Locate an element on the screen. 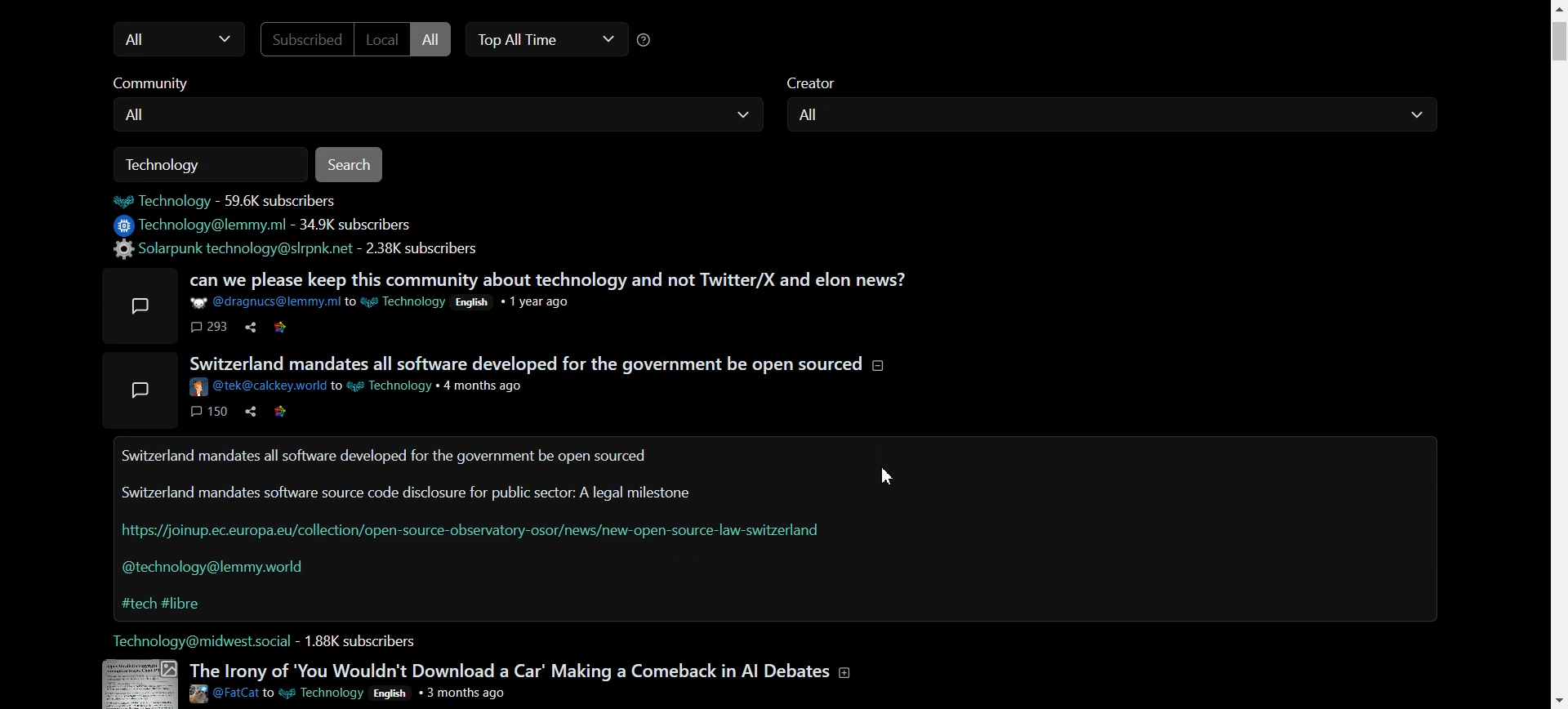 Image resolution: width=1568 pixels, height=709 pixels. Switzerland mandates all software developed for the government be open sourced is located at coordinates (535, 363).